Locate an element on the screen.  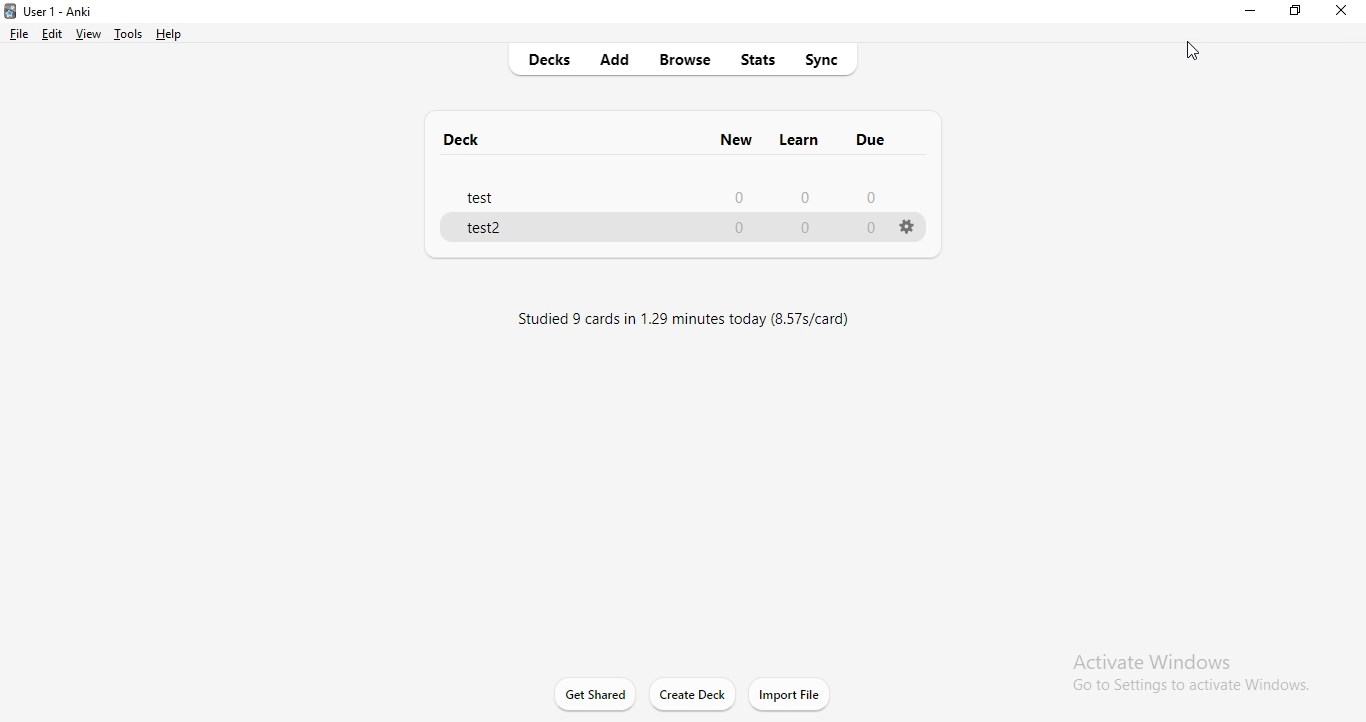
test is located at coordinates (484, 199).